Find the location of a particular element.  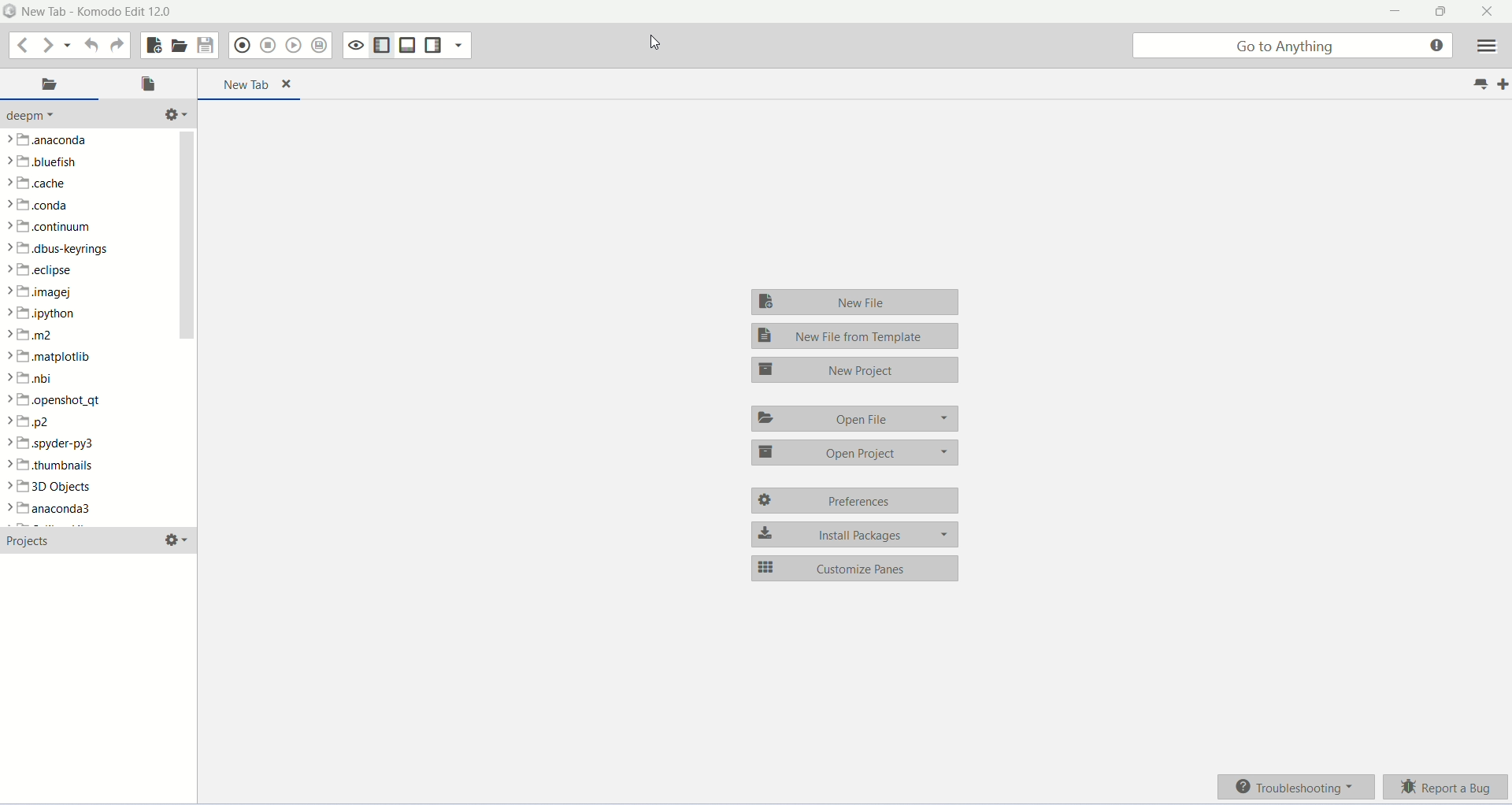

open file is located at coordinates (857, 419).